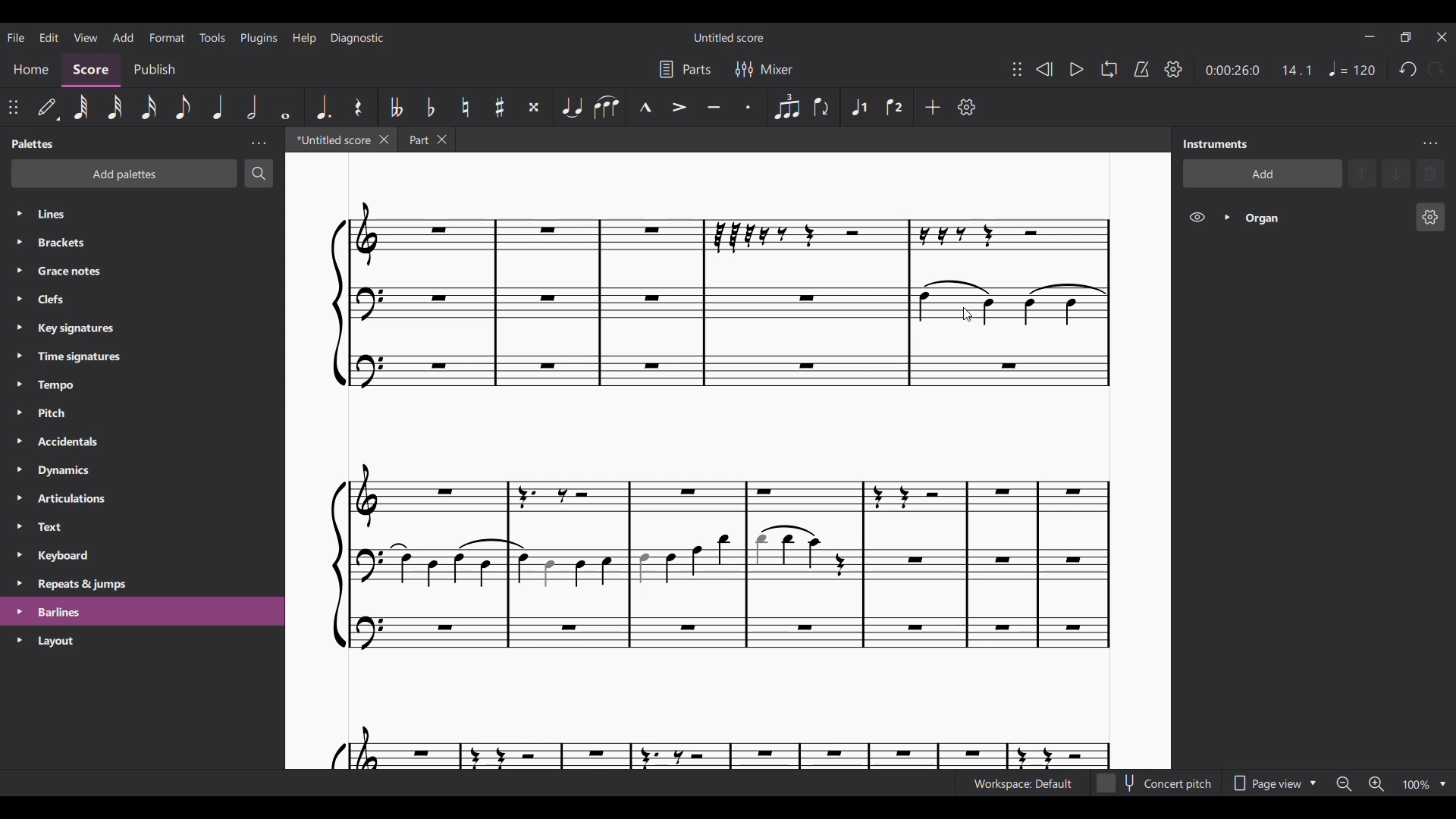  I want to click on Toggle double sharp, so click(534, 106).